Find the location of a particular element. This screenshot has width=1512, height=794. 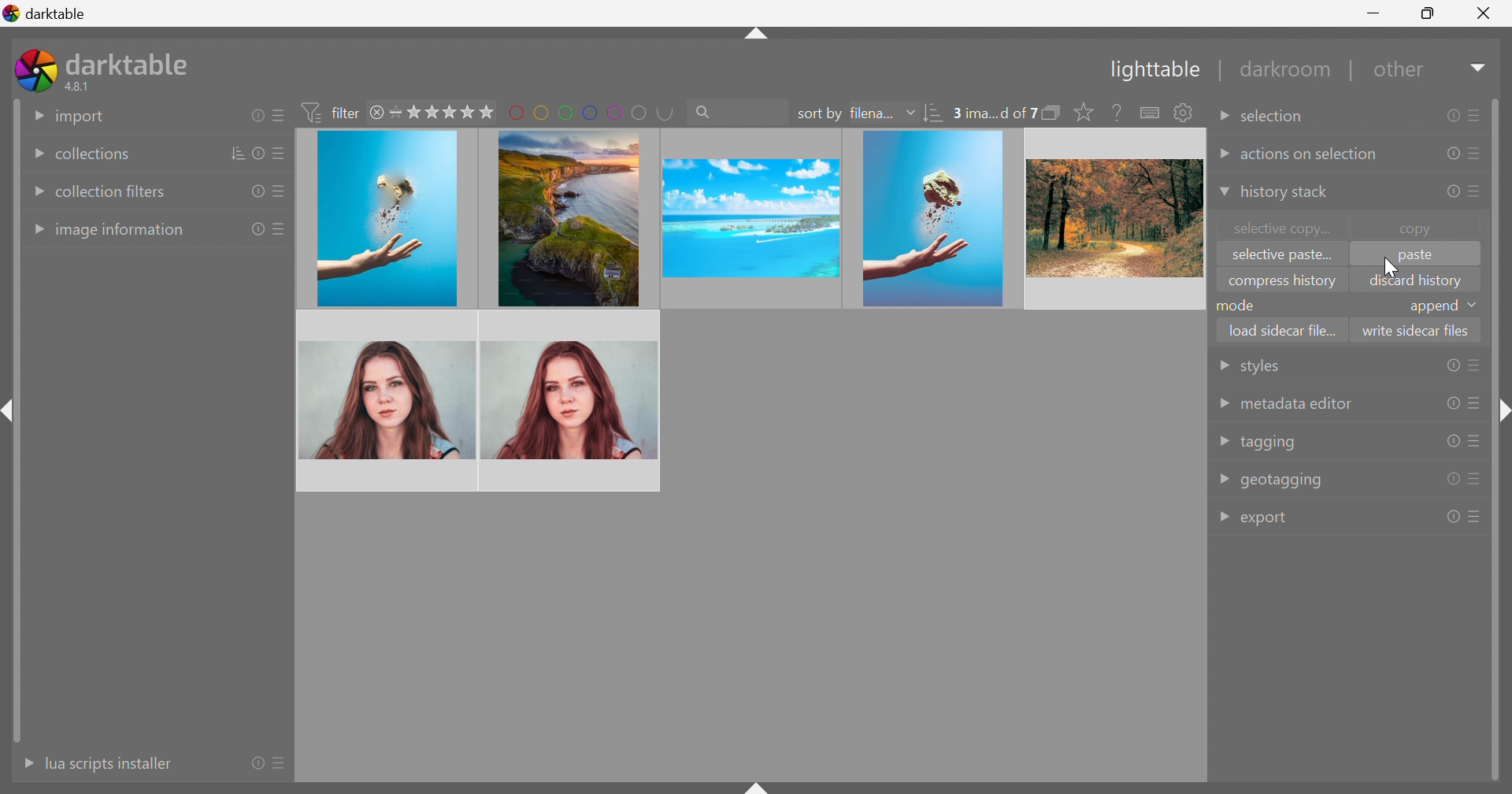

selective copy... is located at coordinates (1284, 228).